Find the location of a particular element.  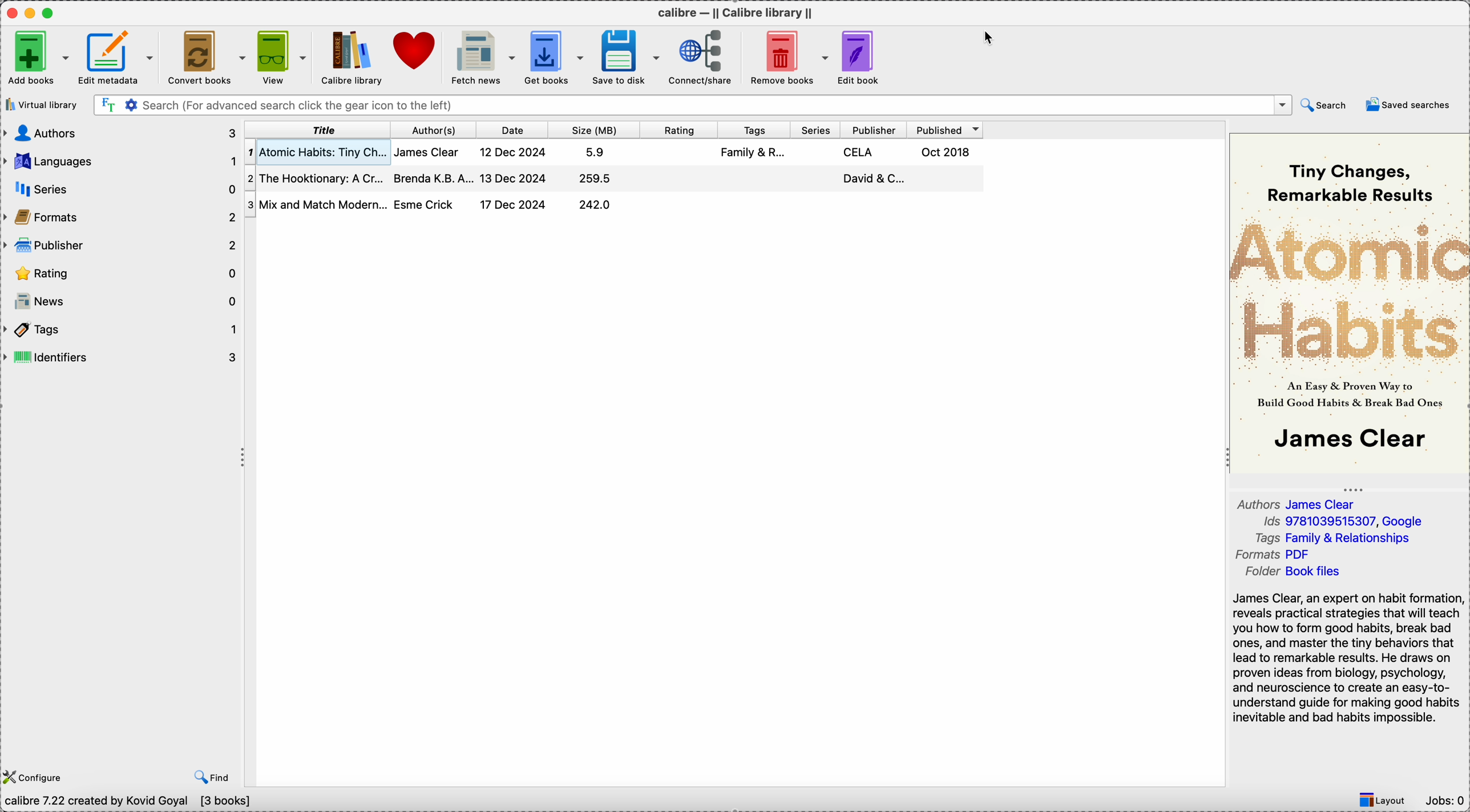

date is located at coordinates (515, 130).